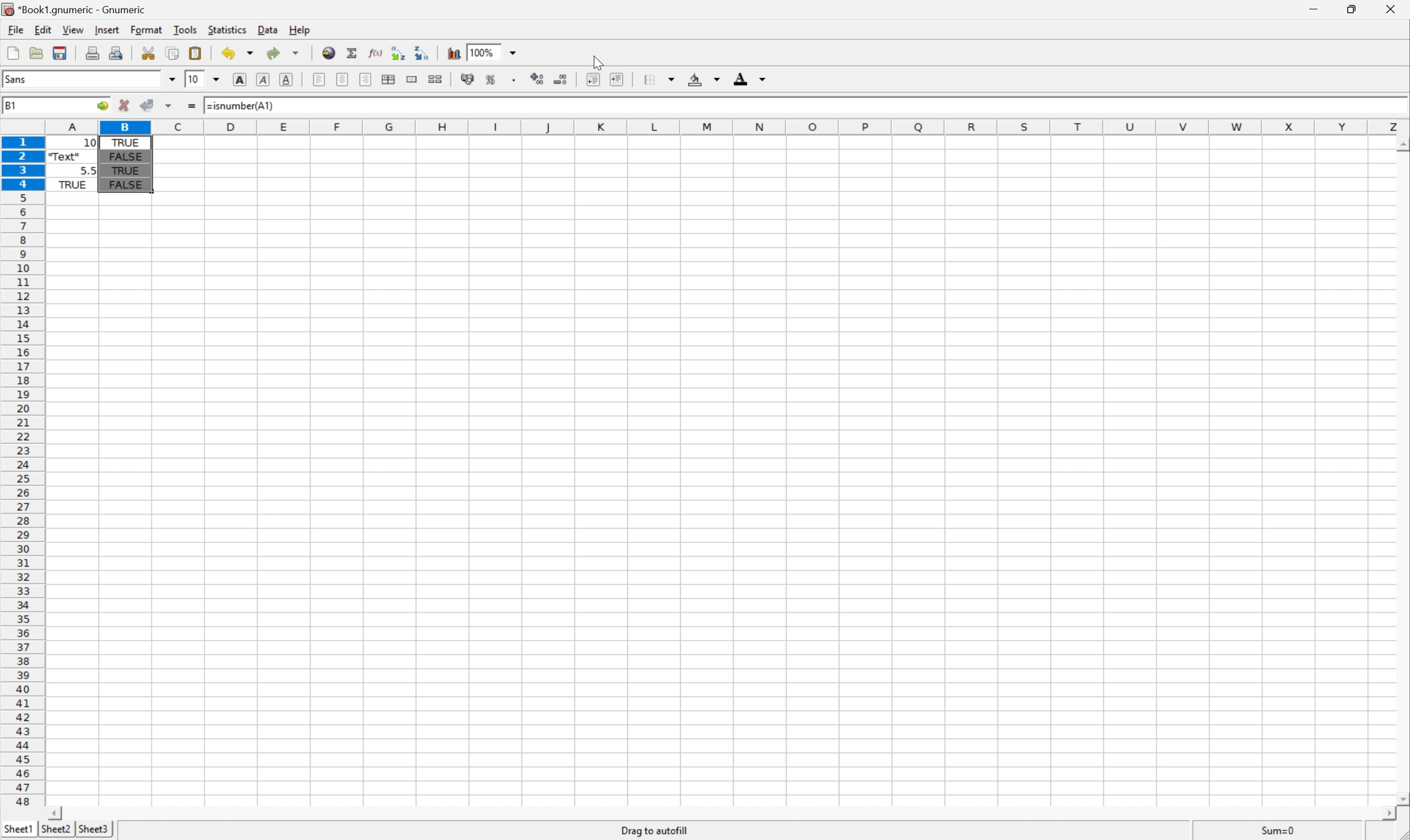 The image size is (1410, 840). Describe the element at coordinates (343, 80) in the screenshot. I see `Center Horizontally` at that location.